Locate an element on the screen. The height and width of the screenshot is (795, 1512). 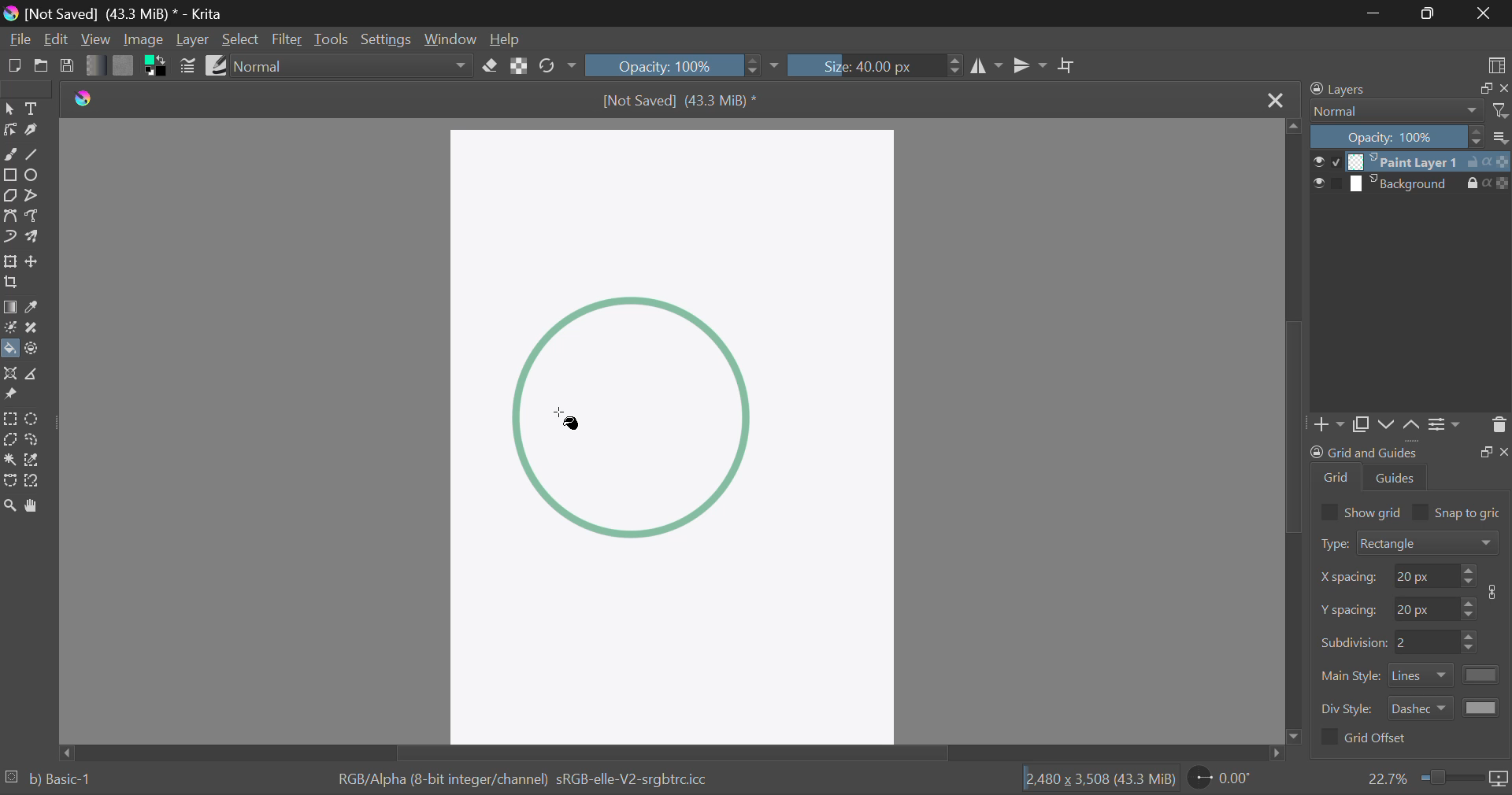
Grid Offset is located at coordinates (1367, 739).